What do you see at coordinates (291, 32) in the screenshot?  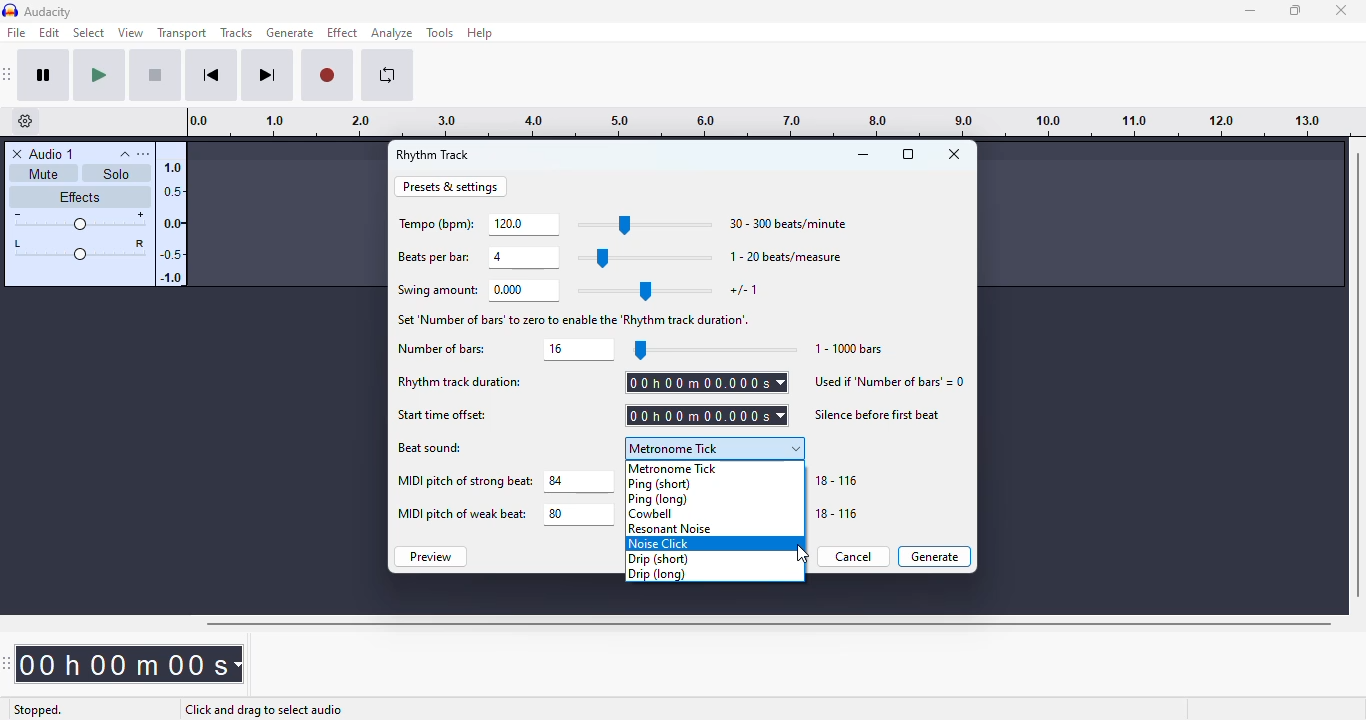 I see `generate` at bounding box center [291, 32].